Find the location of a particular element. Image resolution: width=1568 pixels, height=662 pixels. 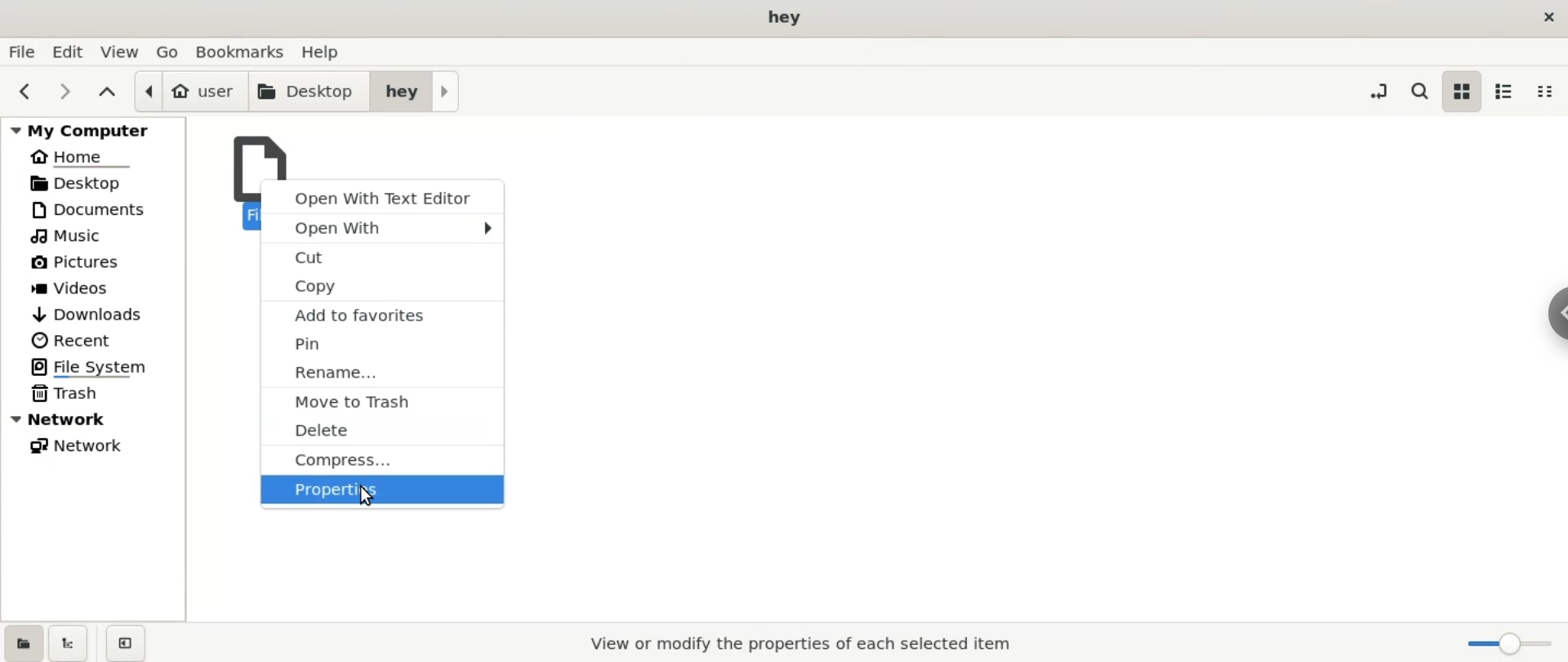

close sidebar is located at coordinates (133, 642).